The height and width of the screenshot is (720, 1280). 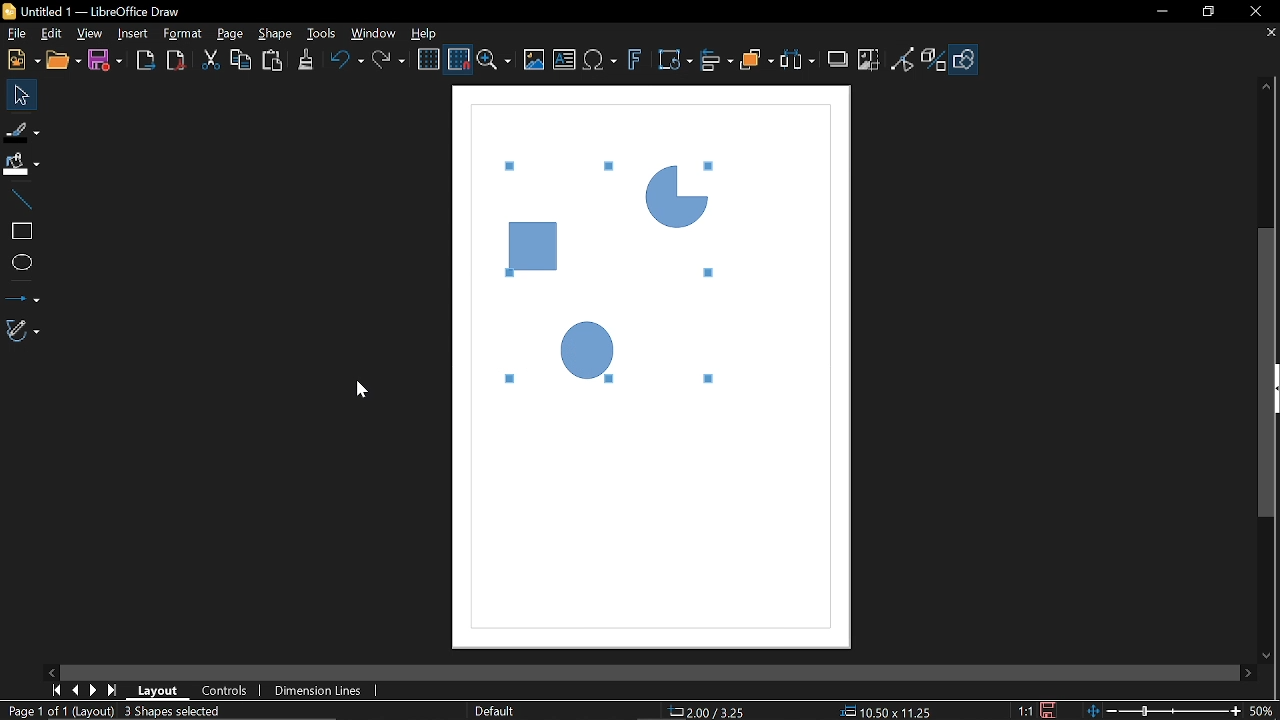 I want to click on Change zoom, so click(x=1166, y=710).